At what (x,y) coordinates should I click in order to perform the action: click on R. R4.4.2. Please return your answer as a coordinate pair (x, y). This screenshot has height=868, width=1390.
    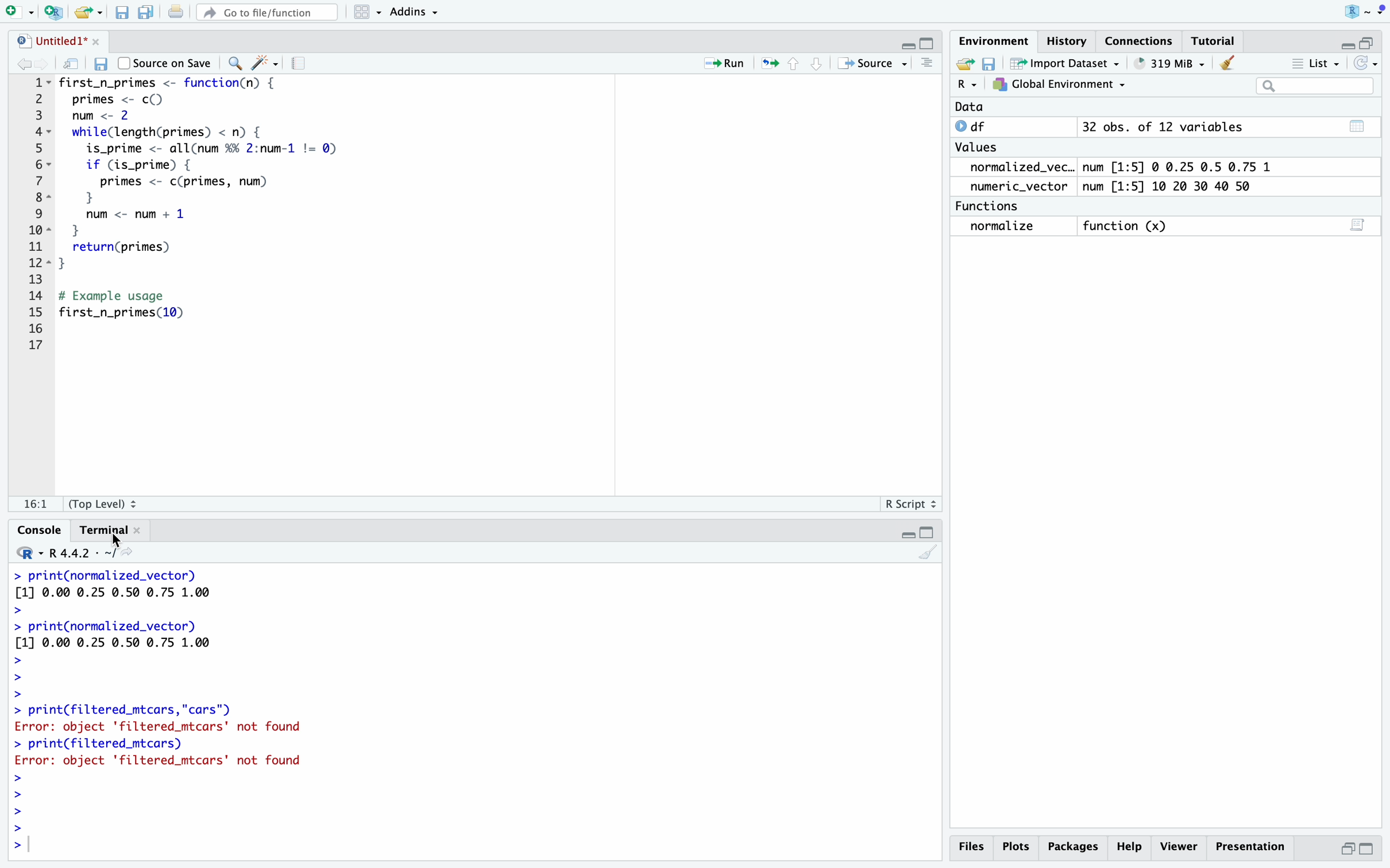
    Looking at the image, I should click on (71, 551).